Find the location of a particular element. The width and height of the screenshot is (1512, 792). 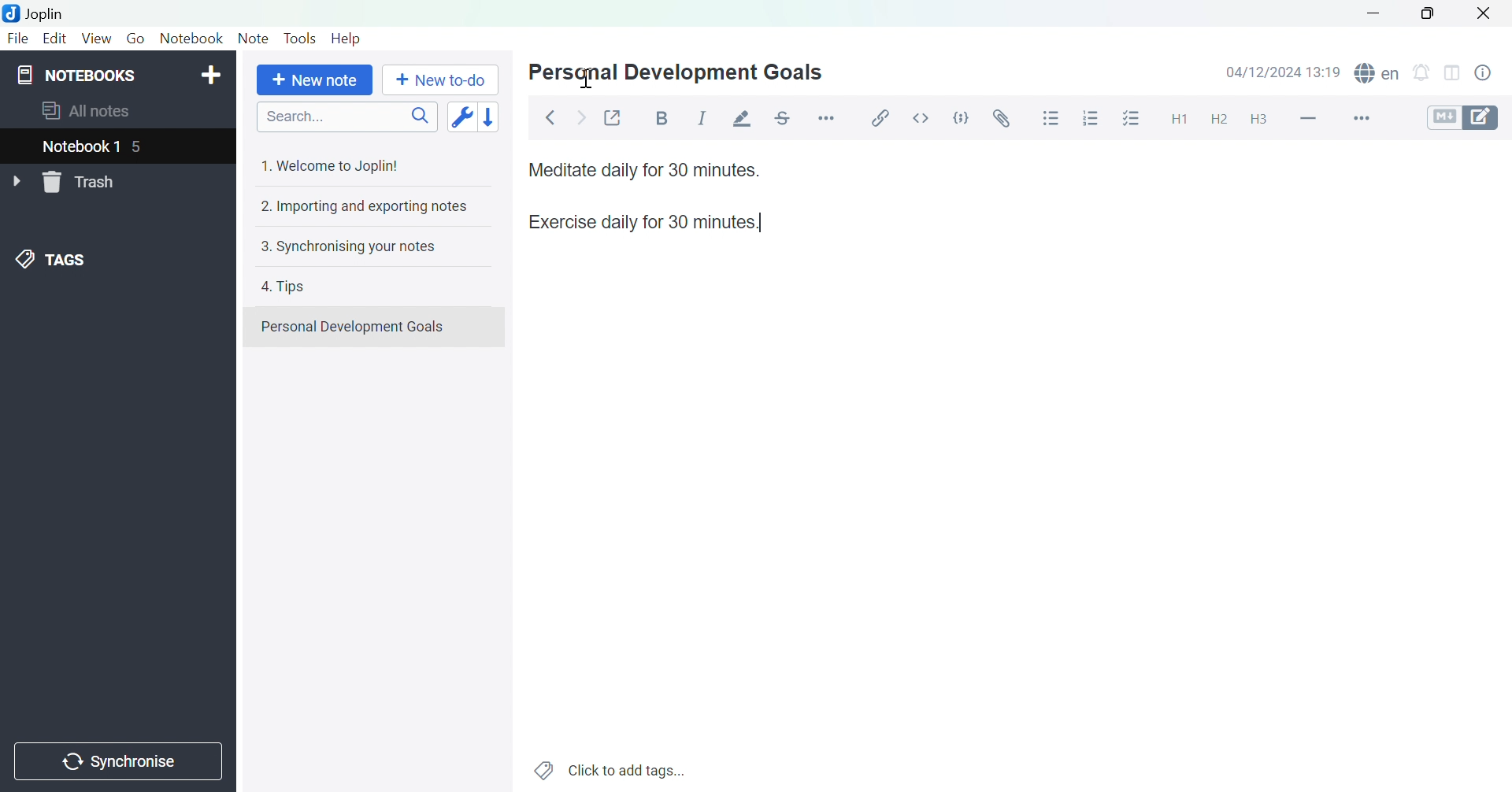

Restore Down is located at coordinates (1429, 17).